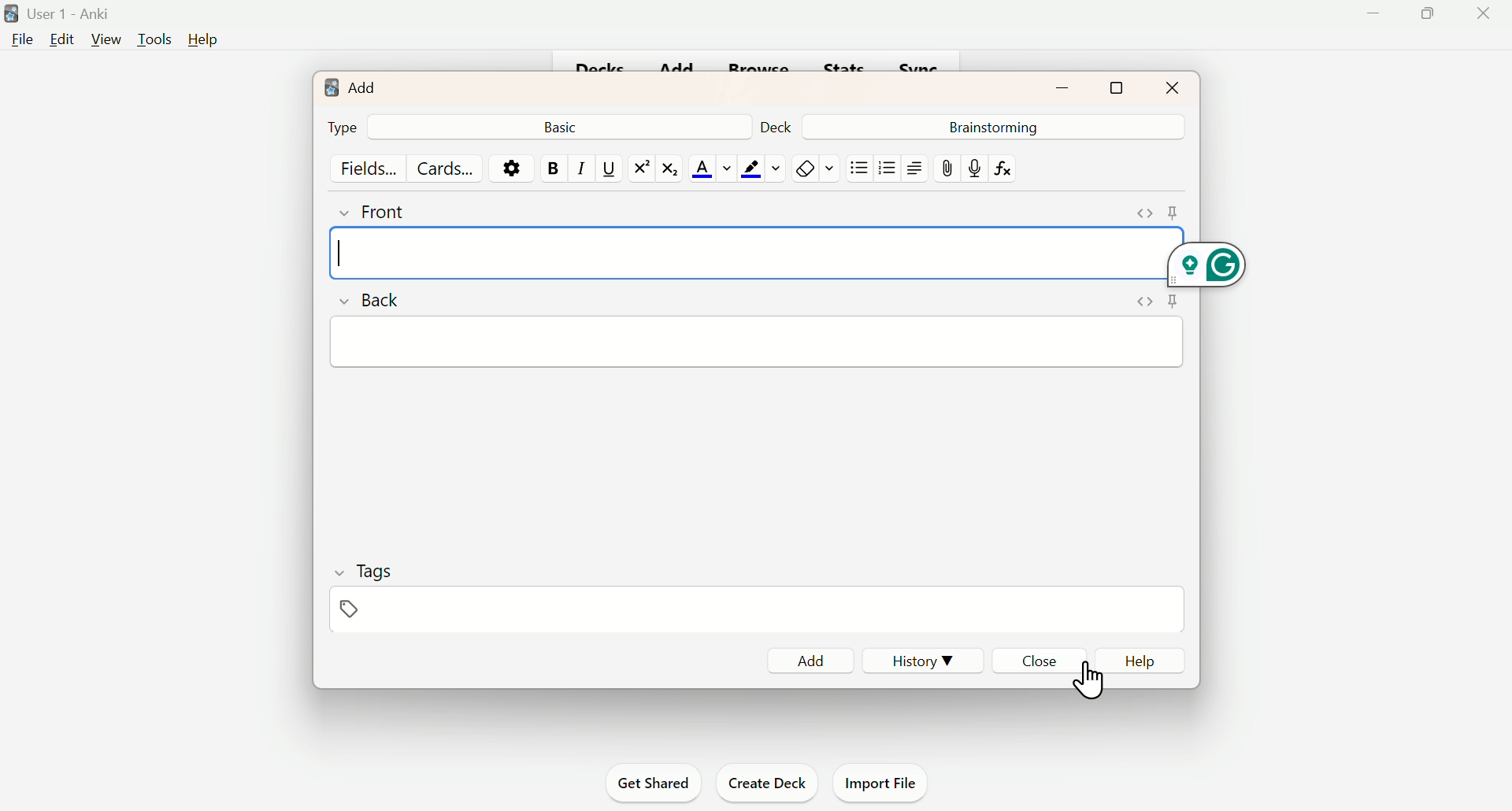  Describe the element at coordinates (991, 126) in the screenshot. I see `Brainstorming` at that location.